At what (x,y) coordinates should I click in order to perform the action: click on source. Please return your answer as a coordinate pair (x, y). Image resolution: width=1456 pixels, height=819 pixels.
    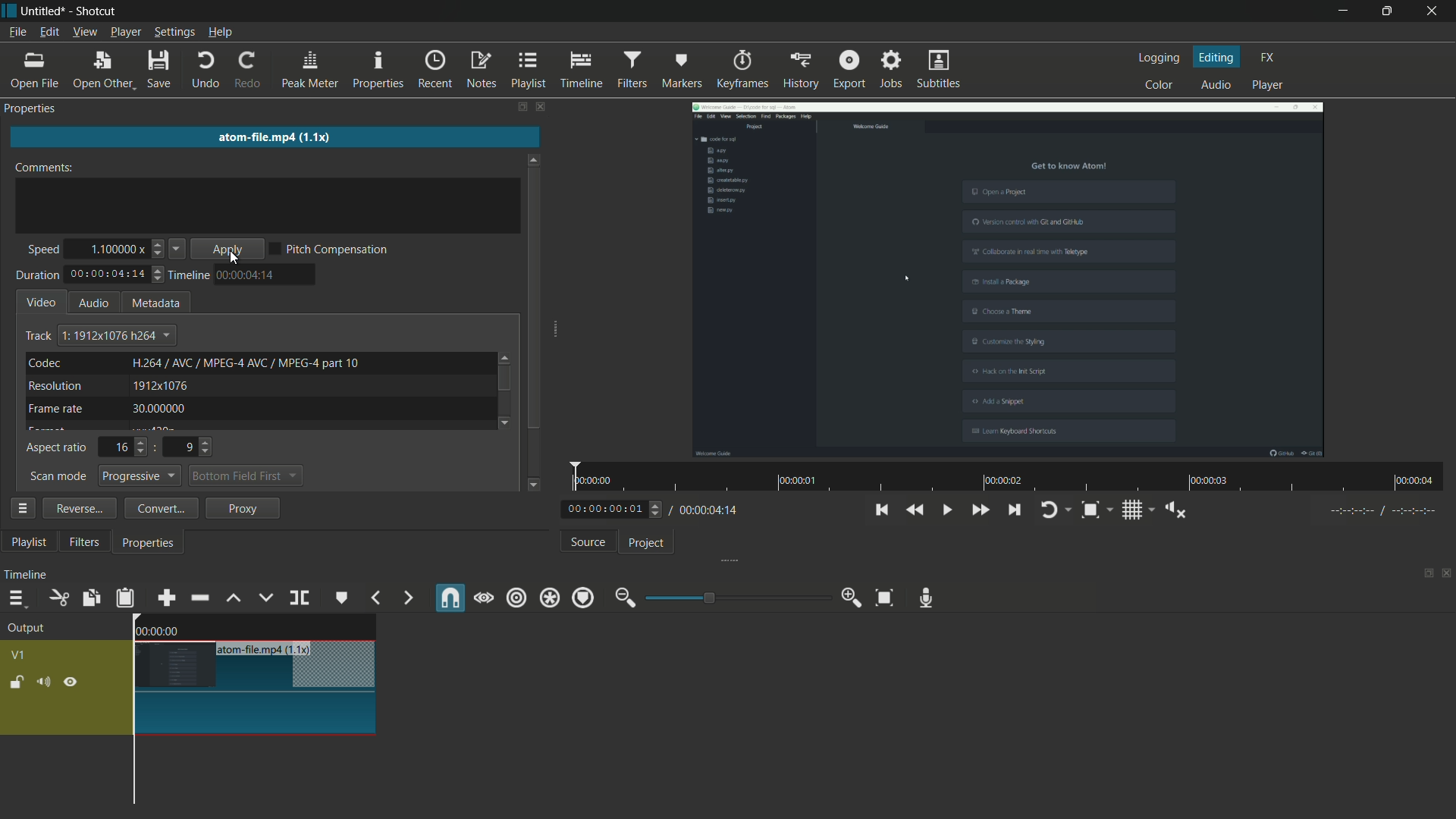
    Looking at the image, I should click on (589, 541).